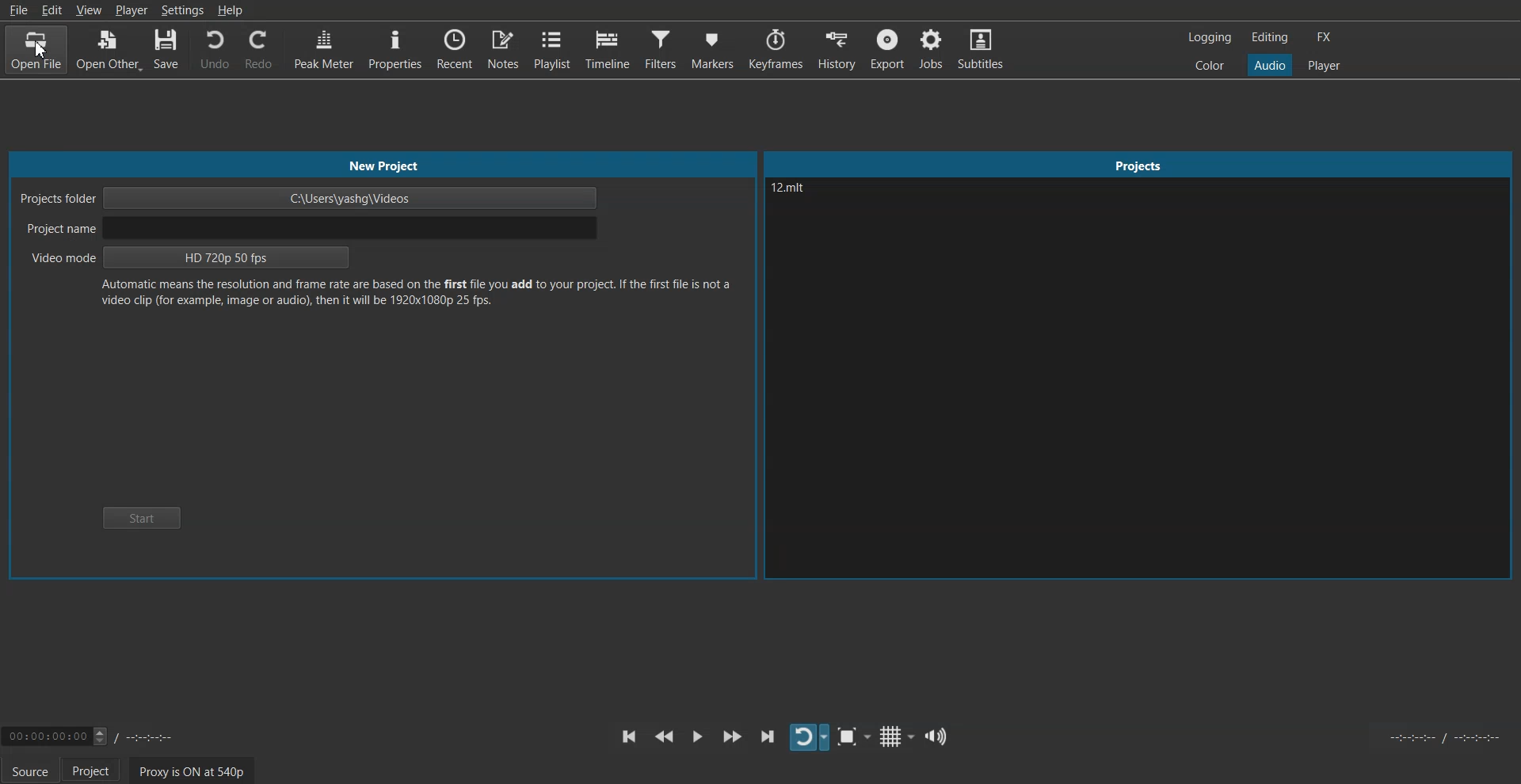  Describe the element at coordinates (712, 49) in the screenshot. I see `Markers` at that location.